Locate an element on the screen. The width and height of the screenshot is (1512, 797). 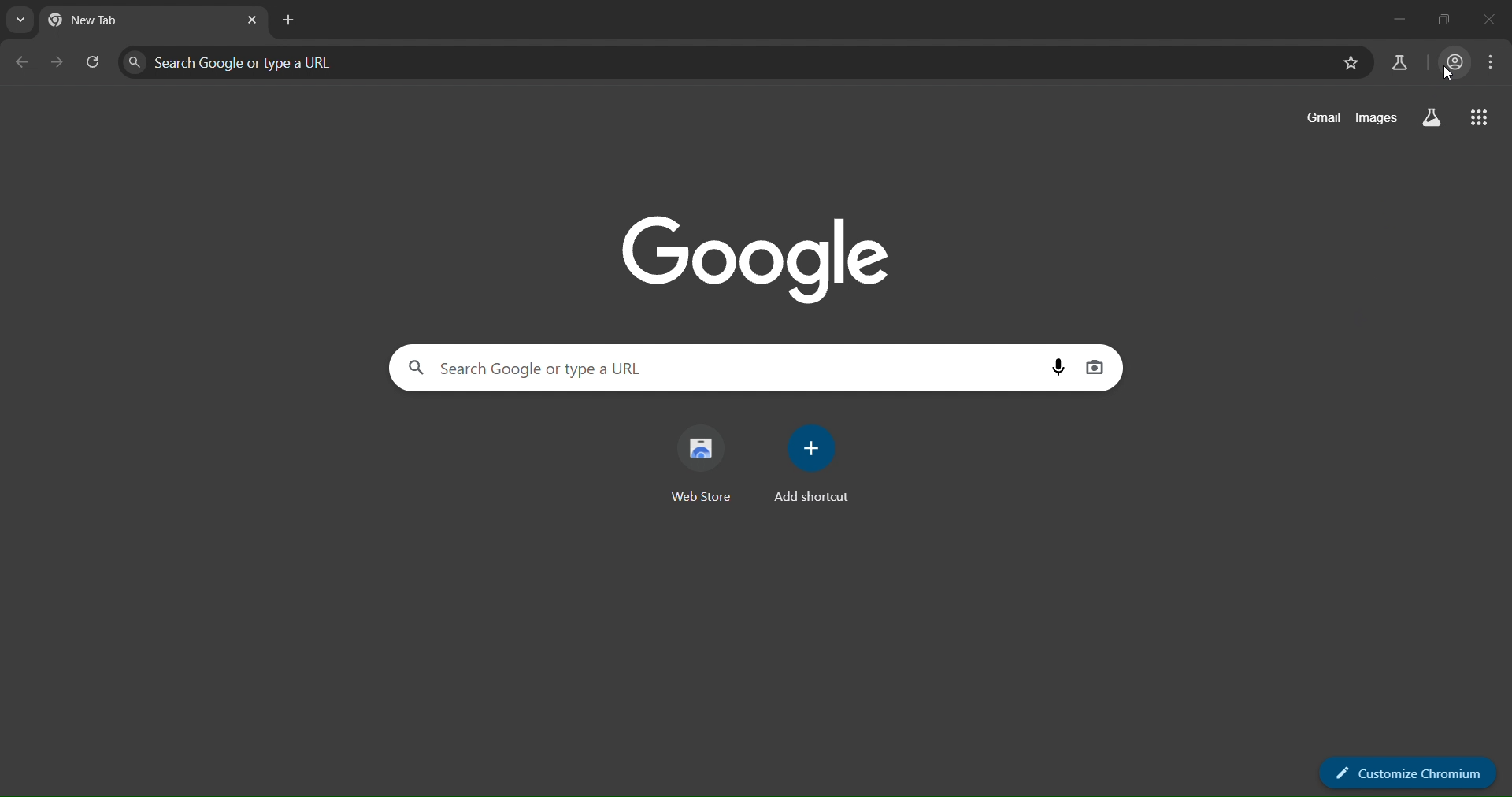
current tab is located at coordinates (105, 24).